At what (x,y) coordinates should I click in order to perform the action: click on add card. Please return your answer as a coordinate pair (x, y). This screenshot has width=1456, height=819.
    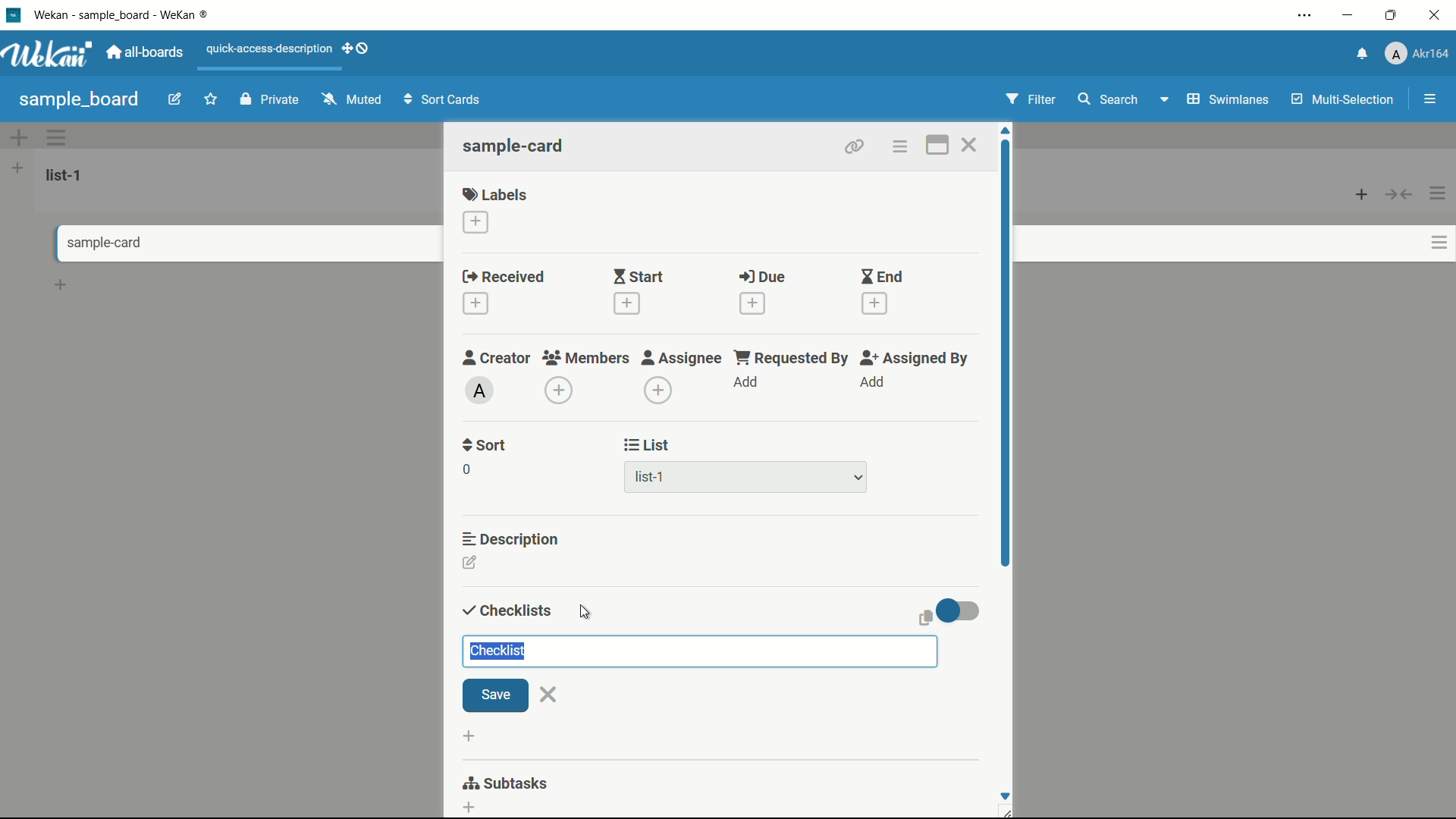
    Looking at the image, I should click on (1362, 193).